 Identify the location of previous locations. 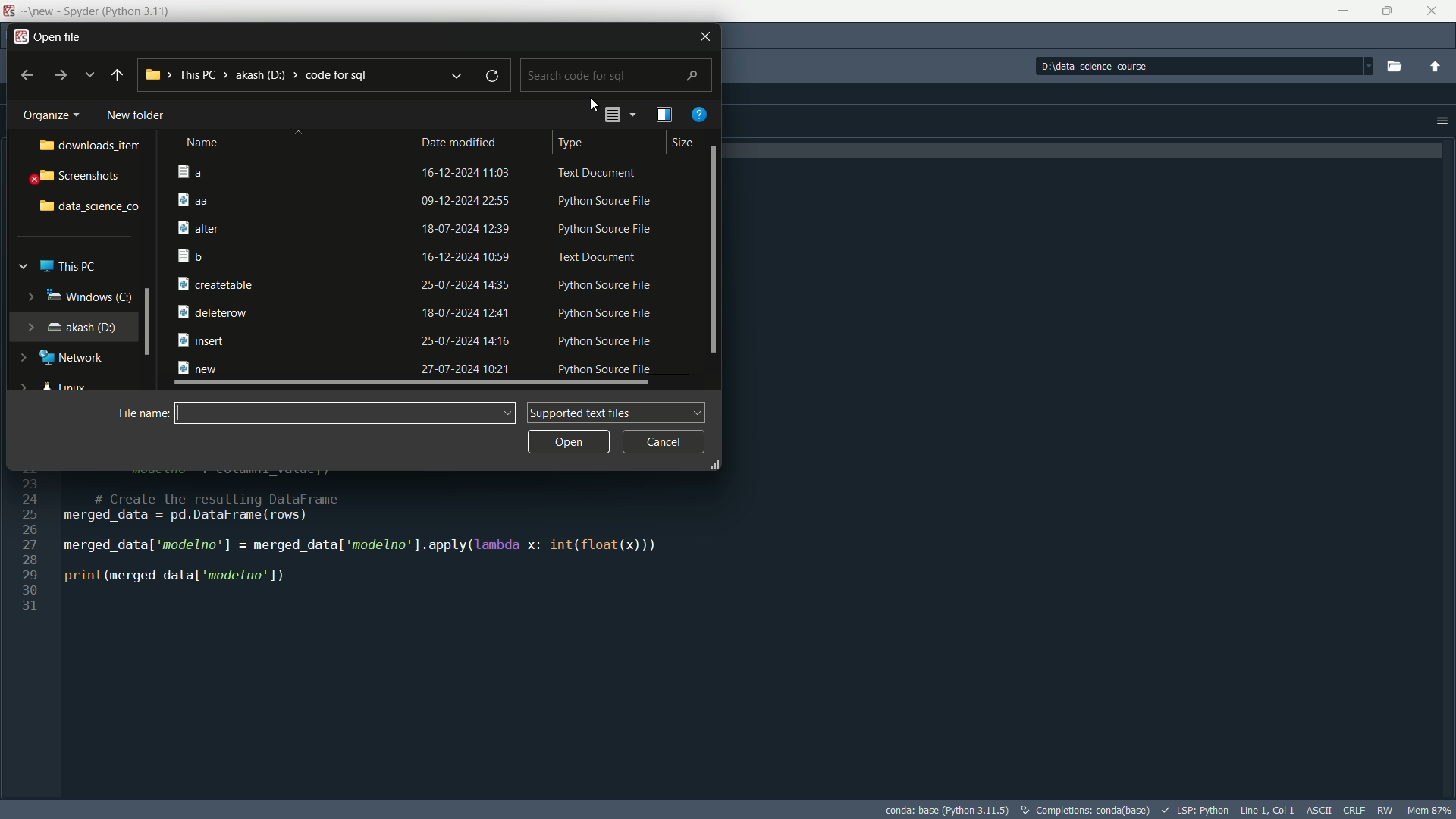
(89, 74).